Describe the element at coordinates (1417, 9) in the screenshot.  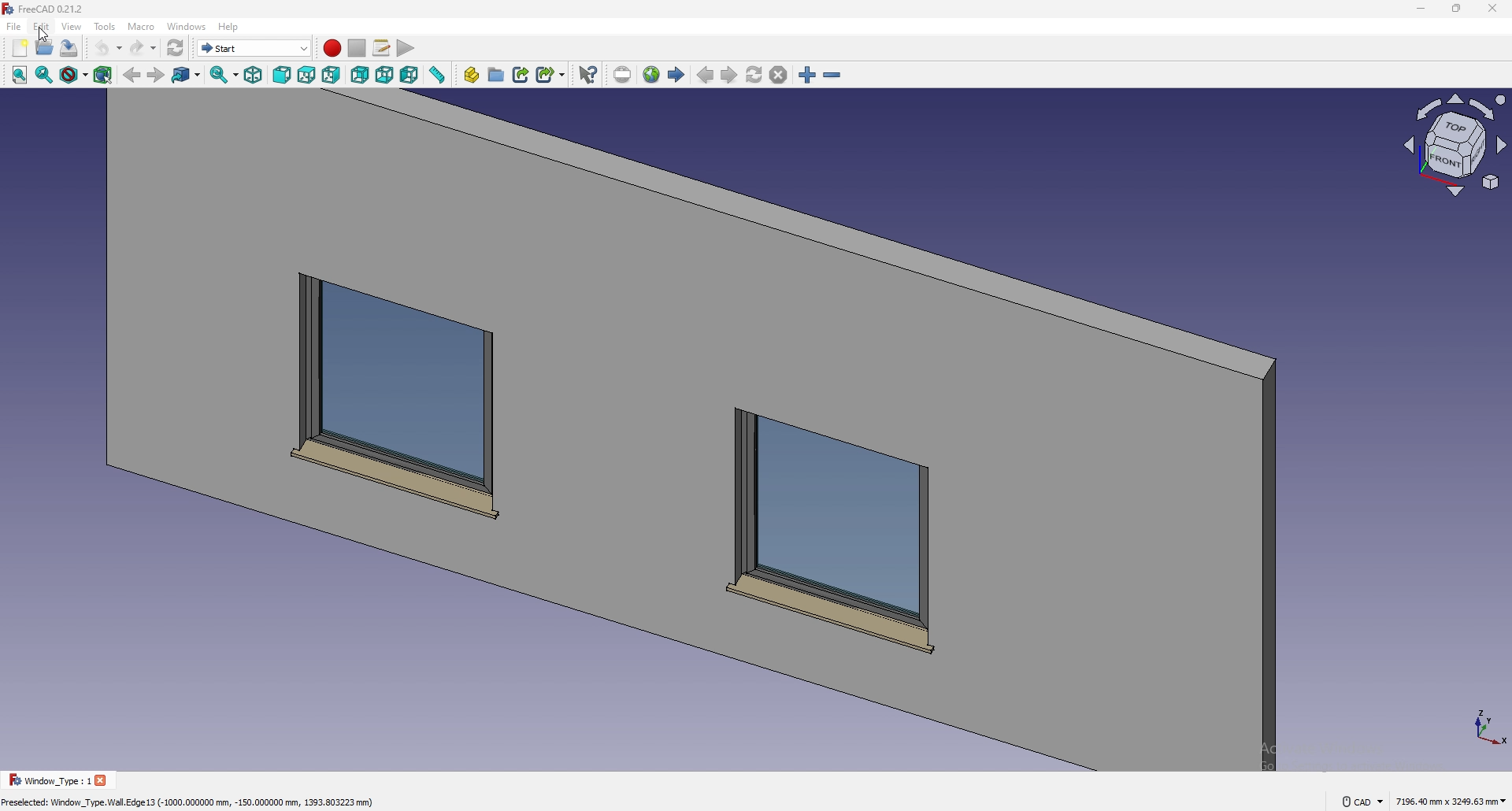
I see `minimize` at that location.